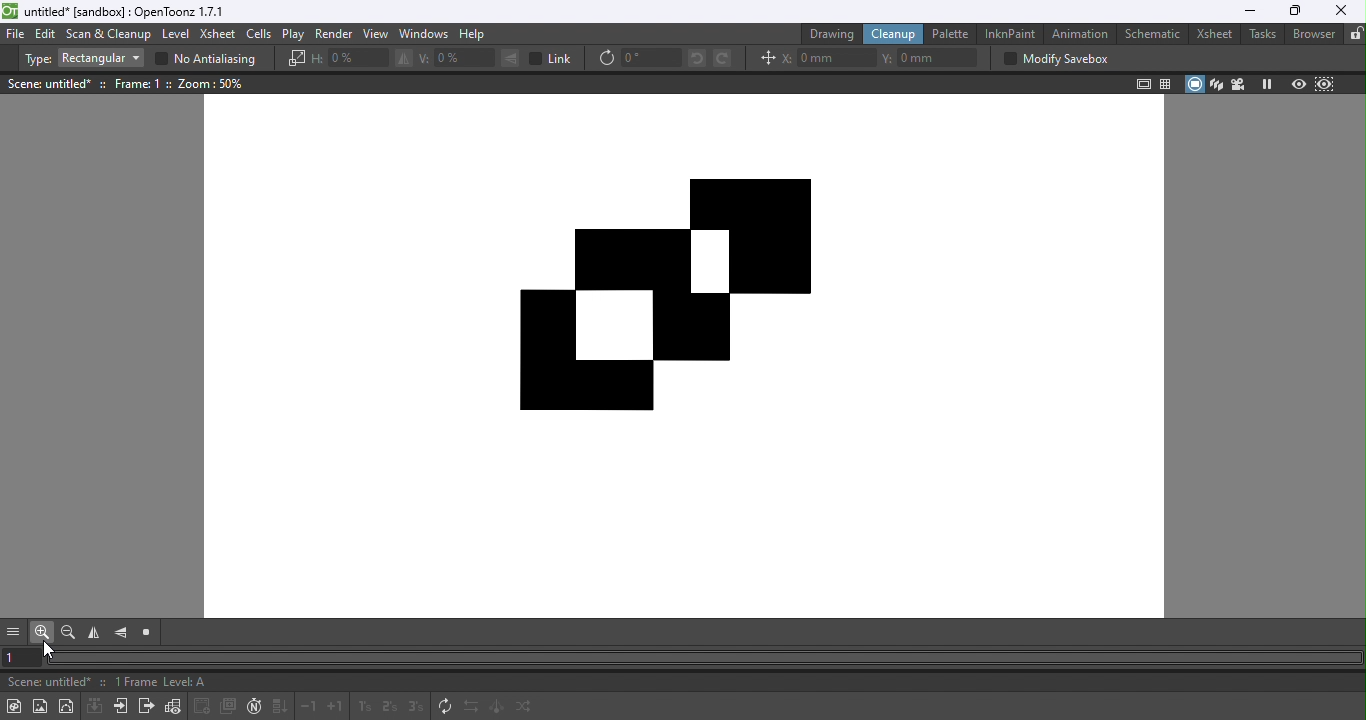 Image resolution: width=1366 pixels, height=720 pixels. Describe the element at coordinates (93, 707) in the screenshot. I see `Collapse` at that location.